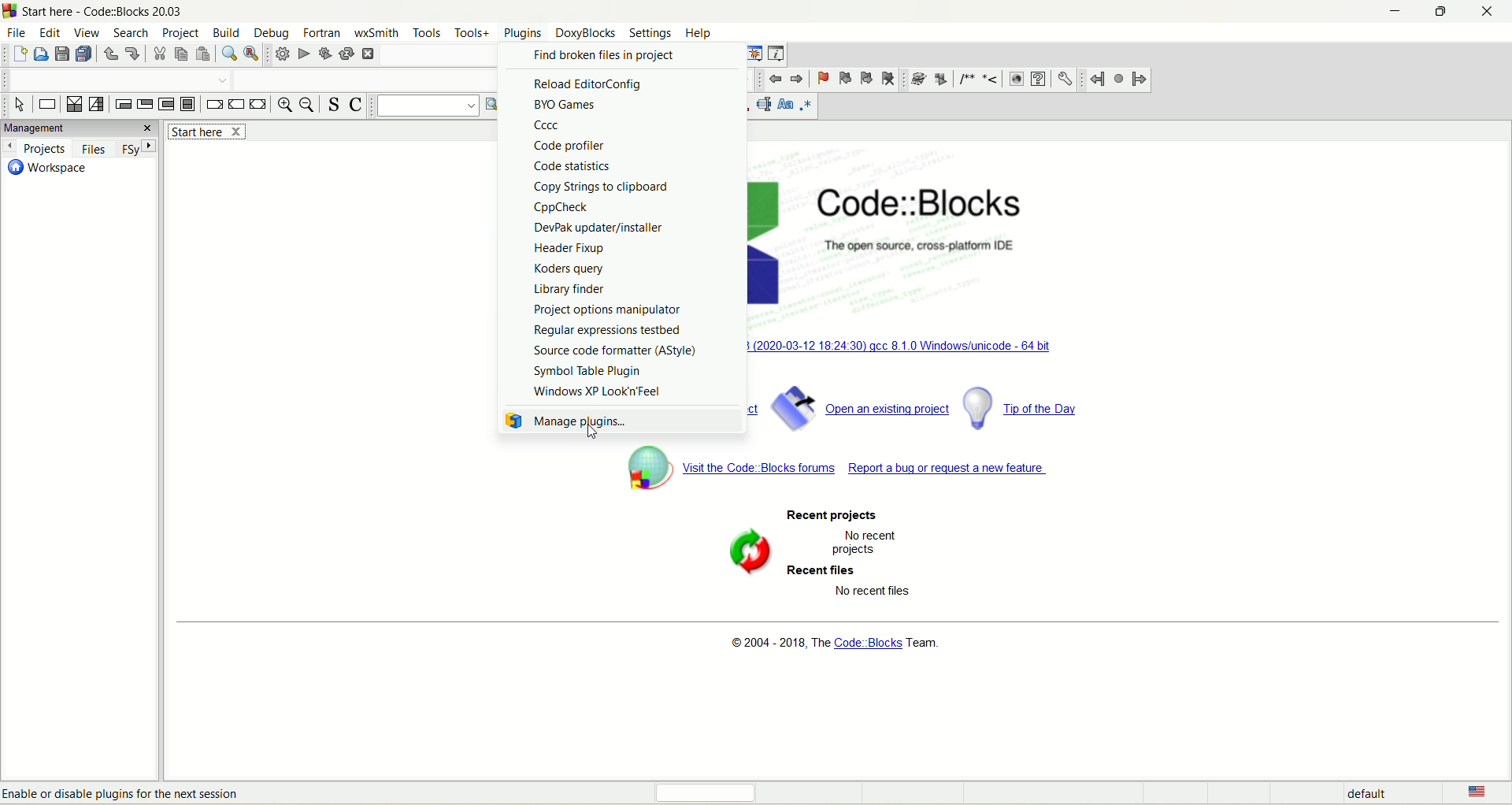 The width and height of the screenshot is (1512, 805). Describe the element at coordinates (370, 54) in the screenshot. I see `abort` at that location.